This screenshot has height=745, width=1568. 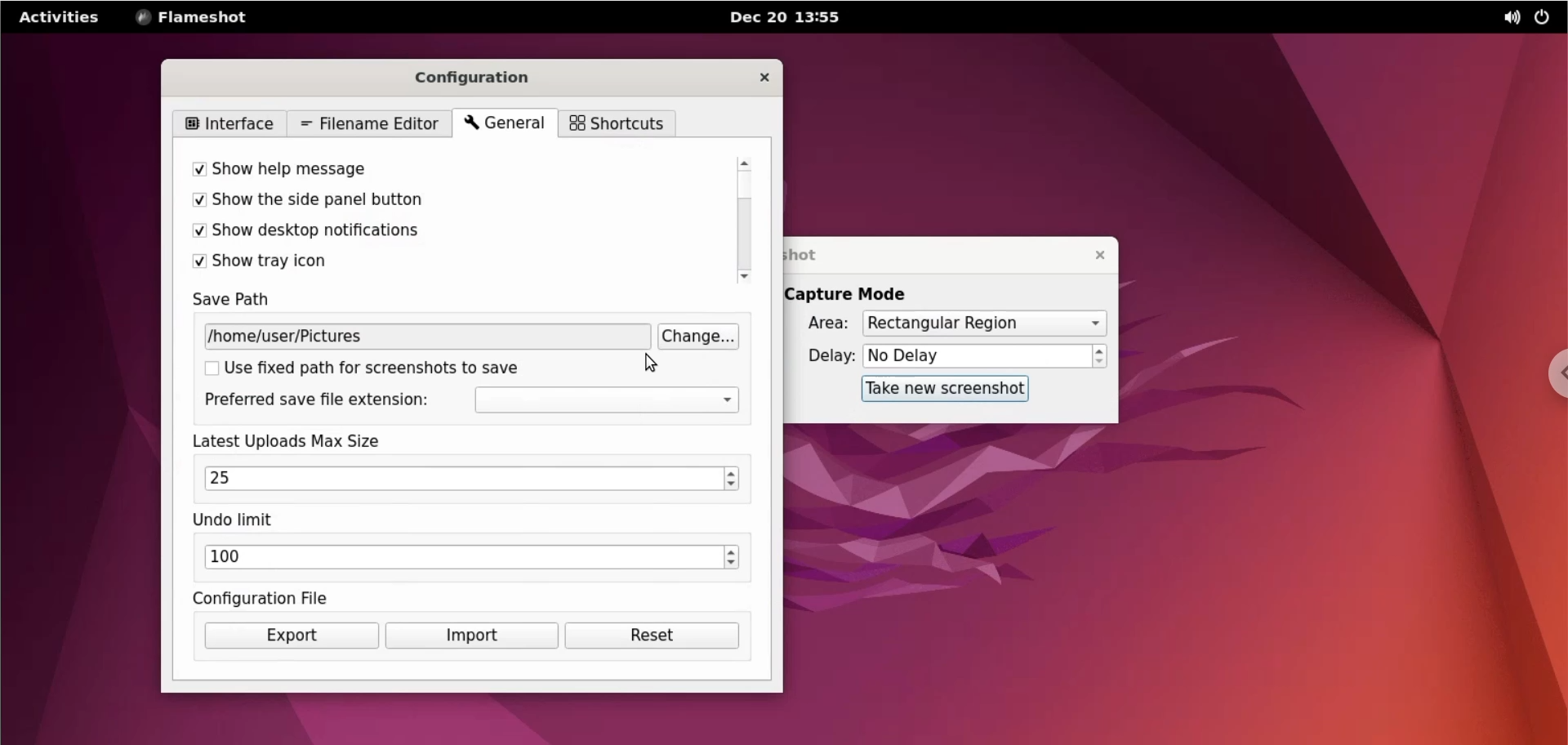 I want to click on show desktop notifications, so click(x=444, y=234).